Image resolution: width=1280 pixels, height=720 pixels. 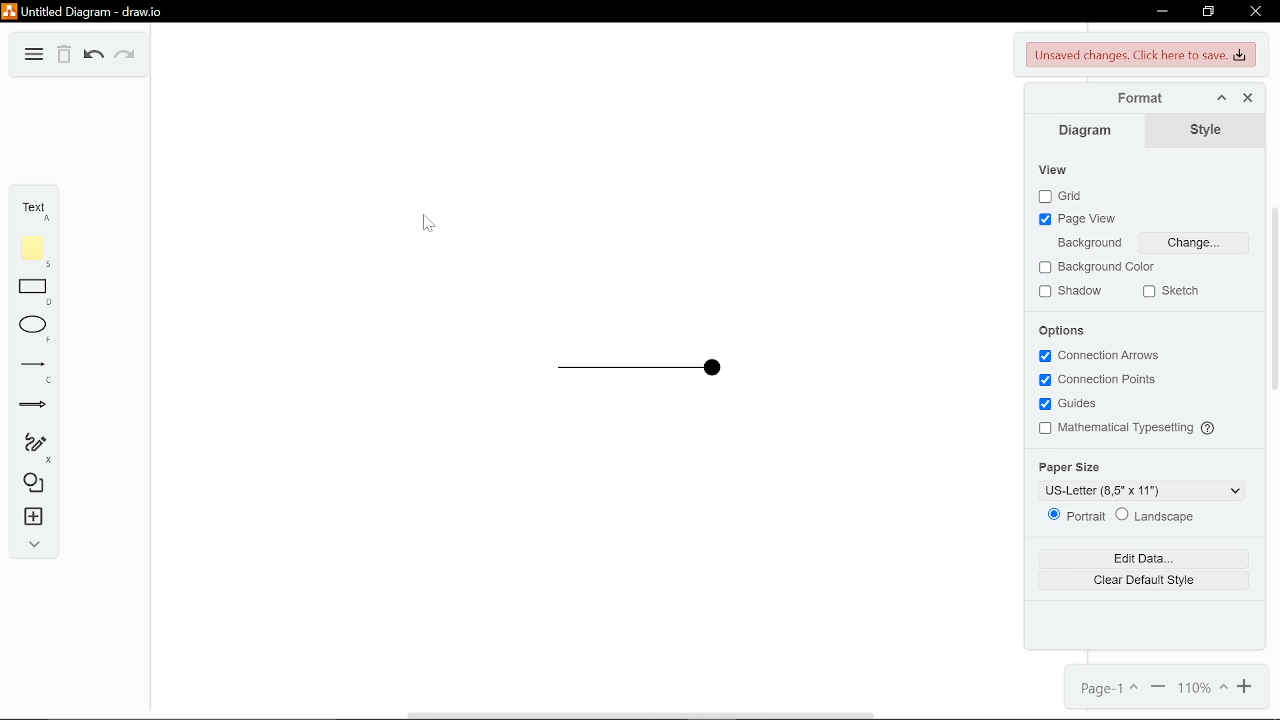 What do you see at coordinates (1163, 516) in the screenshot?
I see `Landscape` at bounding box center [1163, 516].